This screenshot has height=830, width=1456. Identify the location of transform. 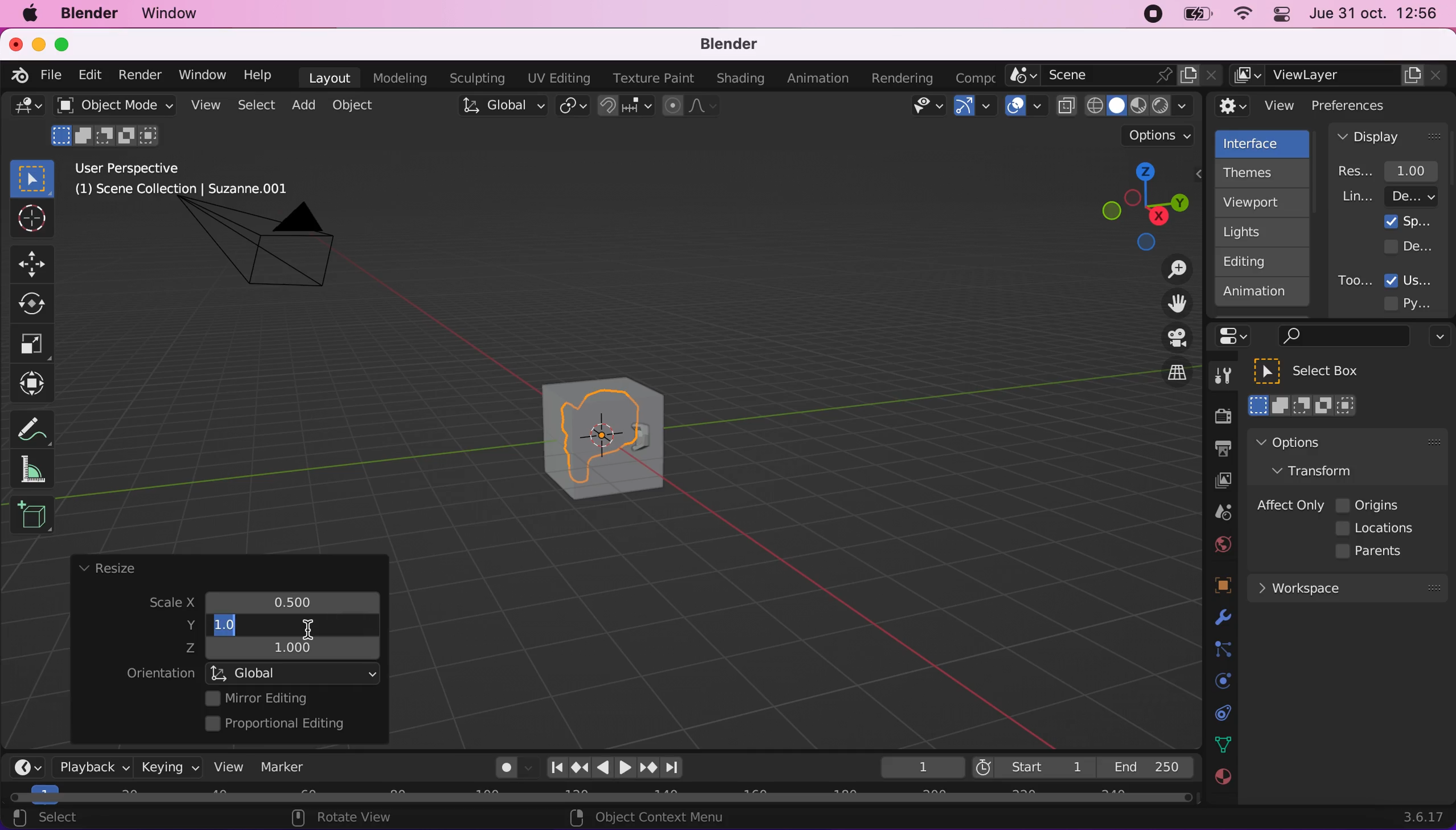
(35, 384).